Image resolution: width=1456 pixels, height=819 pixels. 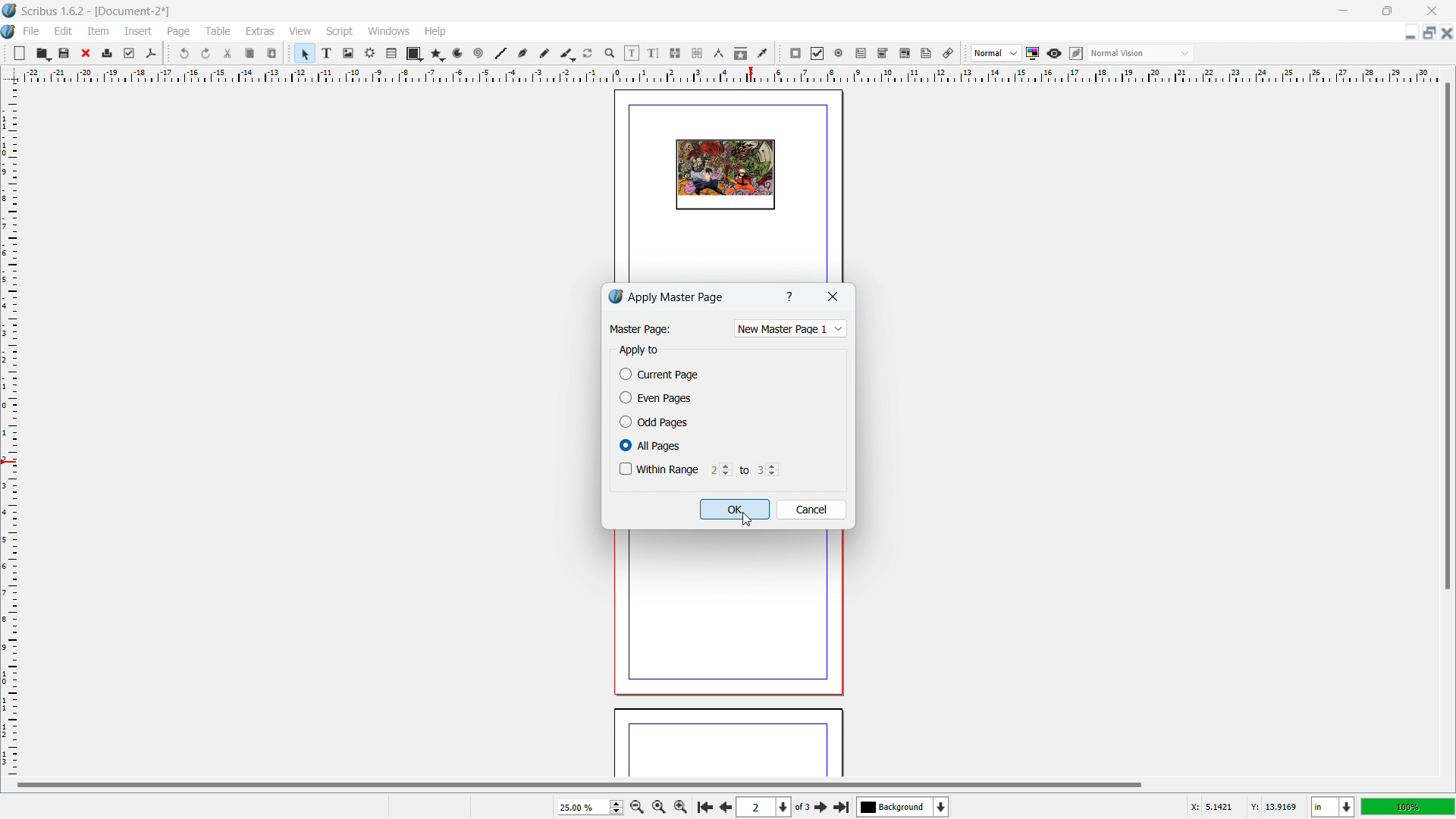 What do you see at coordinates (741, 53) in the screenshot?
I see `copy item properties` at bounding box center [741, 53].